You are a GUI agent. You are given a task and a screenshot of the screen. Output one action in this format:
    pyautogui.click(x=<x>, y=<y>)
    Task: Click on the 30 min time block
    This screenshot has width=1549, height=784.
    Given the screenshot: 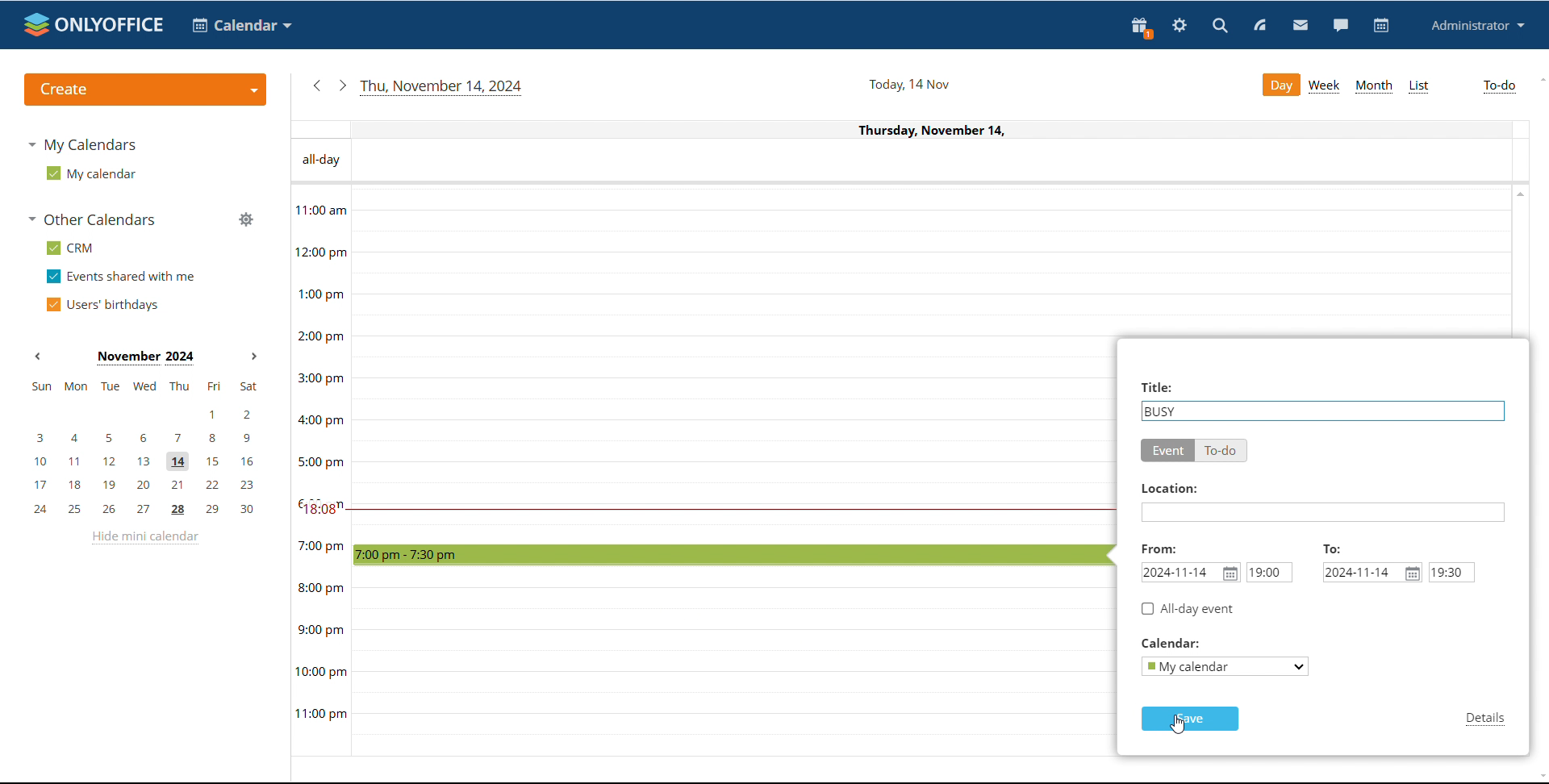 What is the action you would take?
    pyautogui.click(x=931, y=221)
    